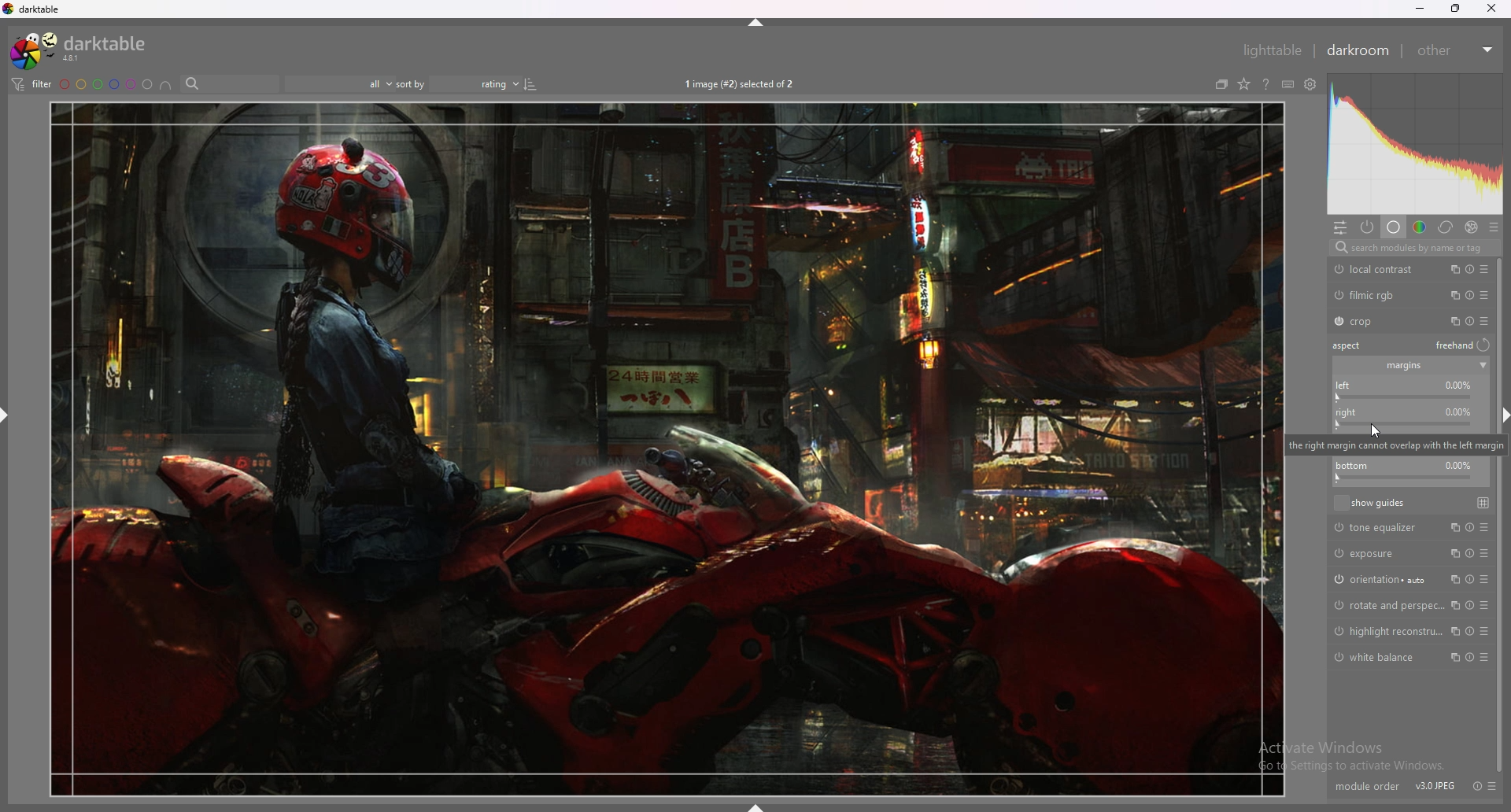  I want to click on Sort order, so click(485, 83).